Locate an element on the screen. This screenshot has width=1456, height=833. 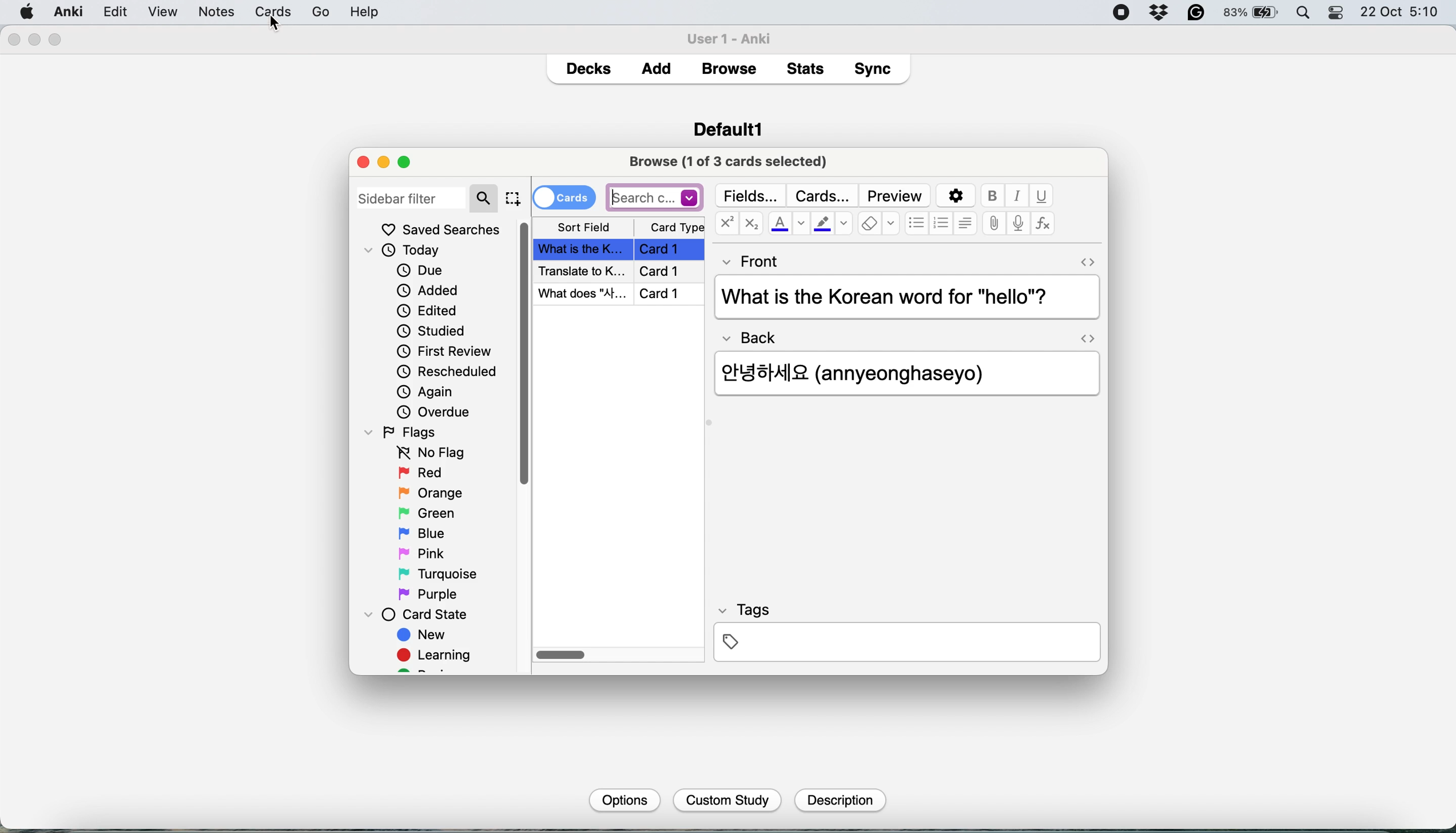
22 Oct 5:10 is located at coordinates (1401, 13).